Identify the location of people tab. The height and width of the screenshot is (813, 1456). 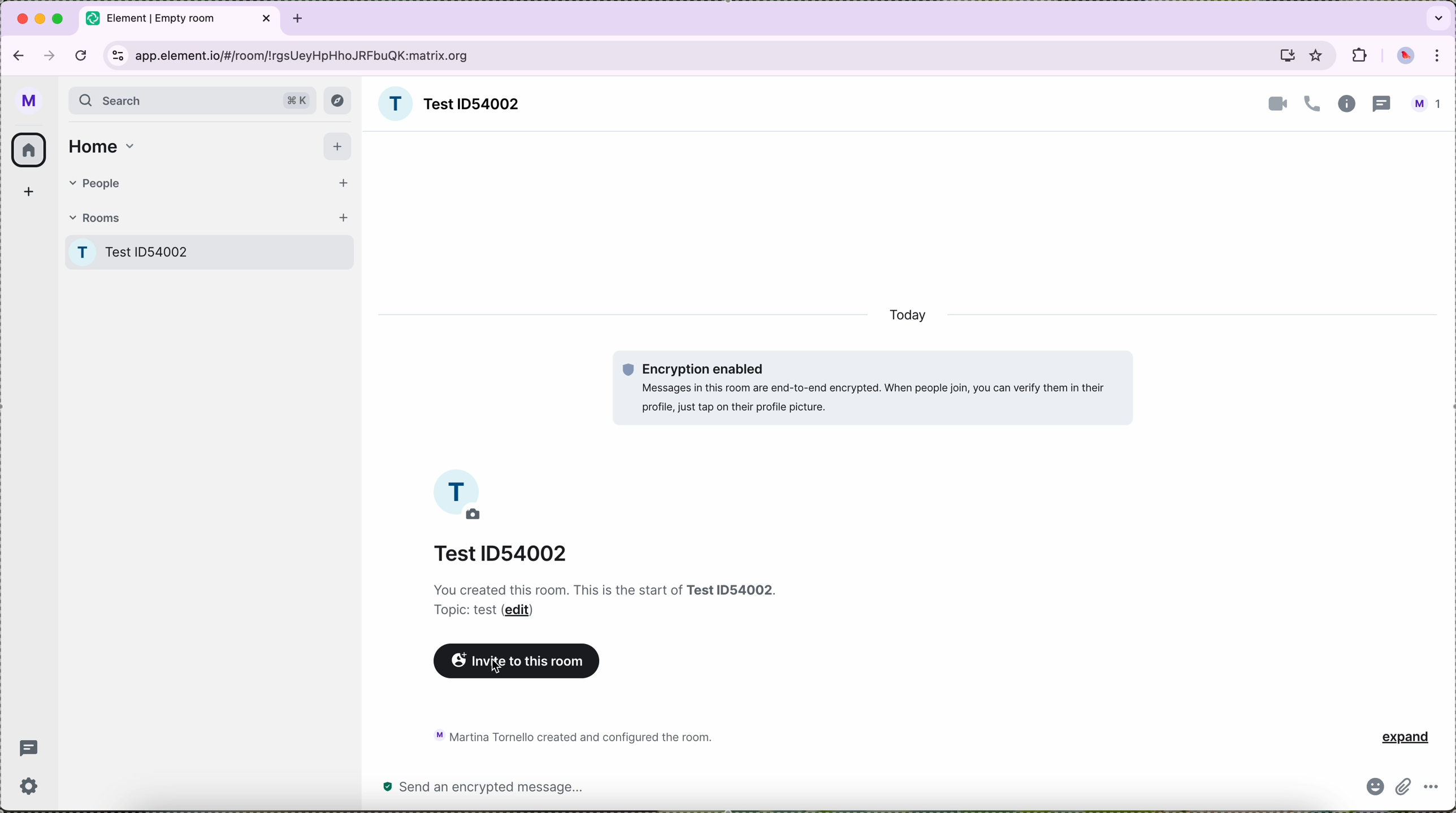
(207, 181).